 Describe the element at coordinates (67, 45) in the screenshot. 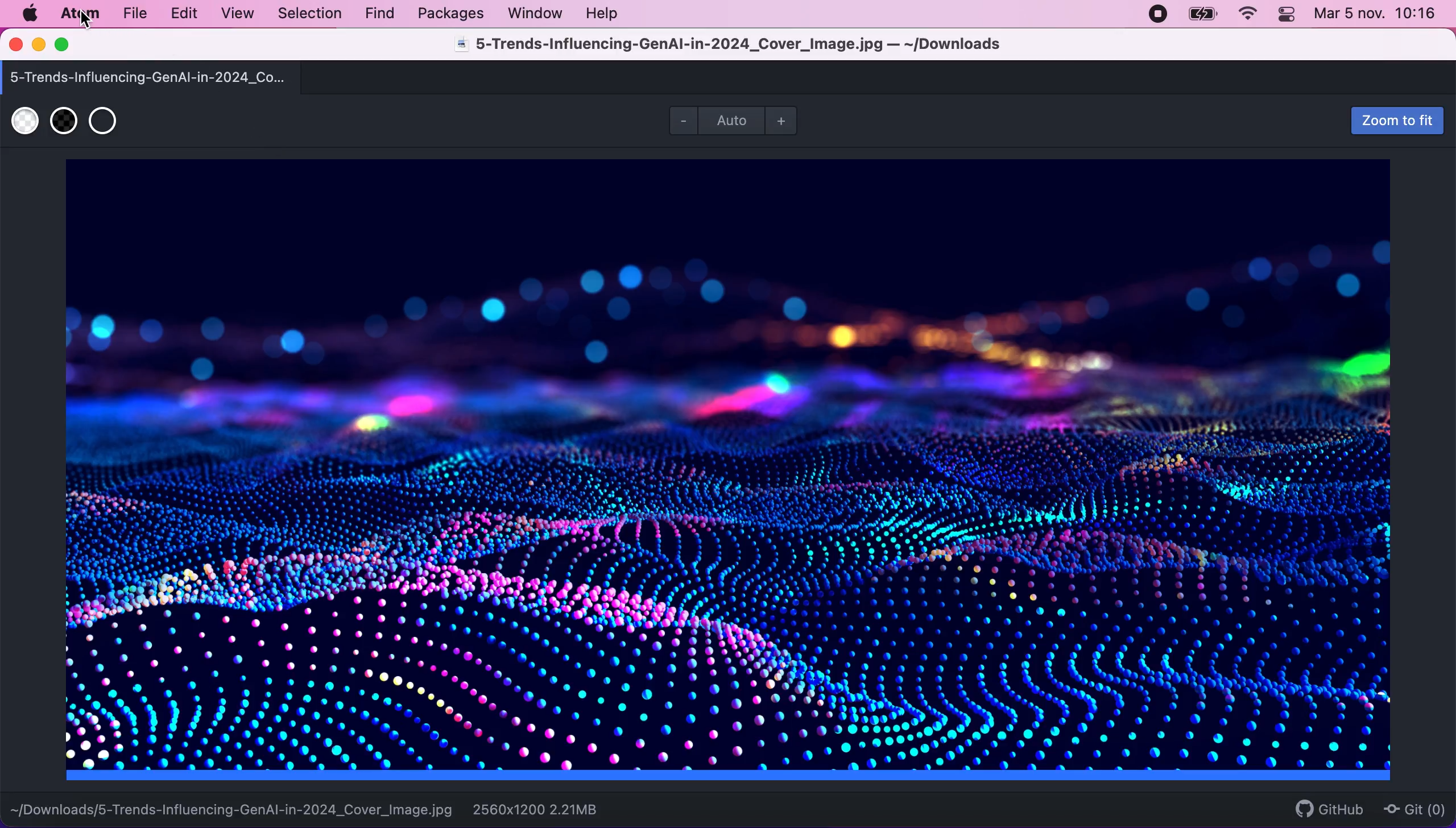

I see `maximize` at that location.